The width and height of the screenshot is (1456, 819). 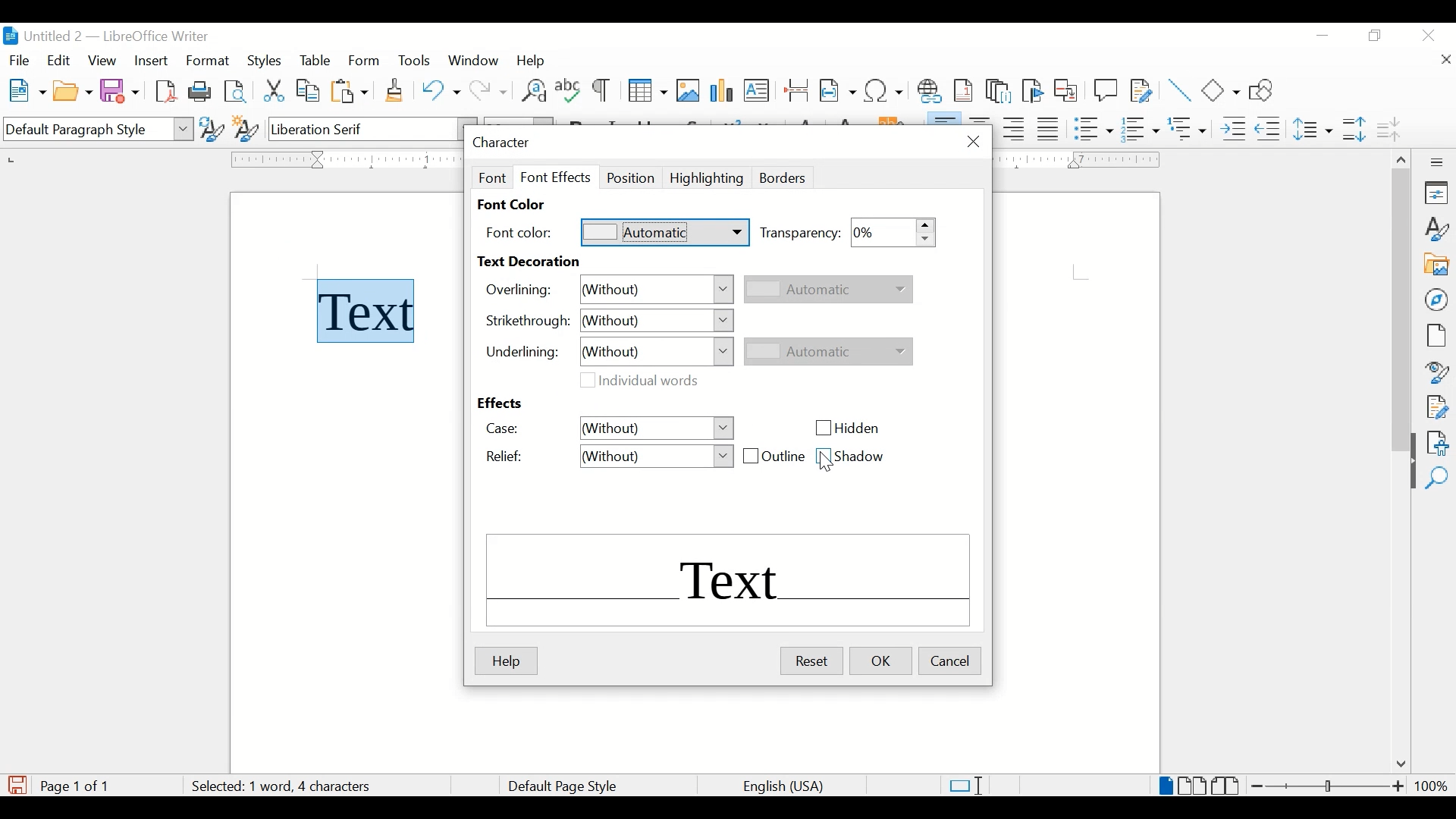 I want to click on insert hyperlink, so click(x=930, y=91).